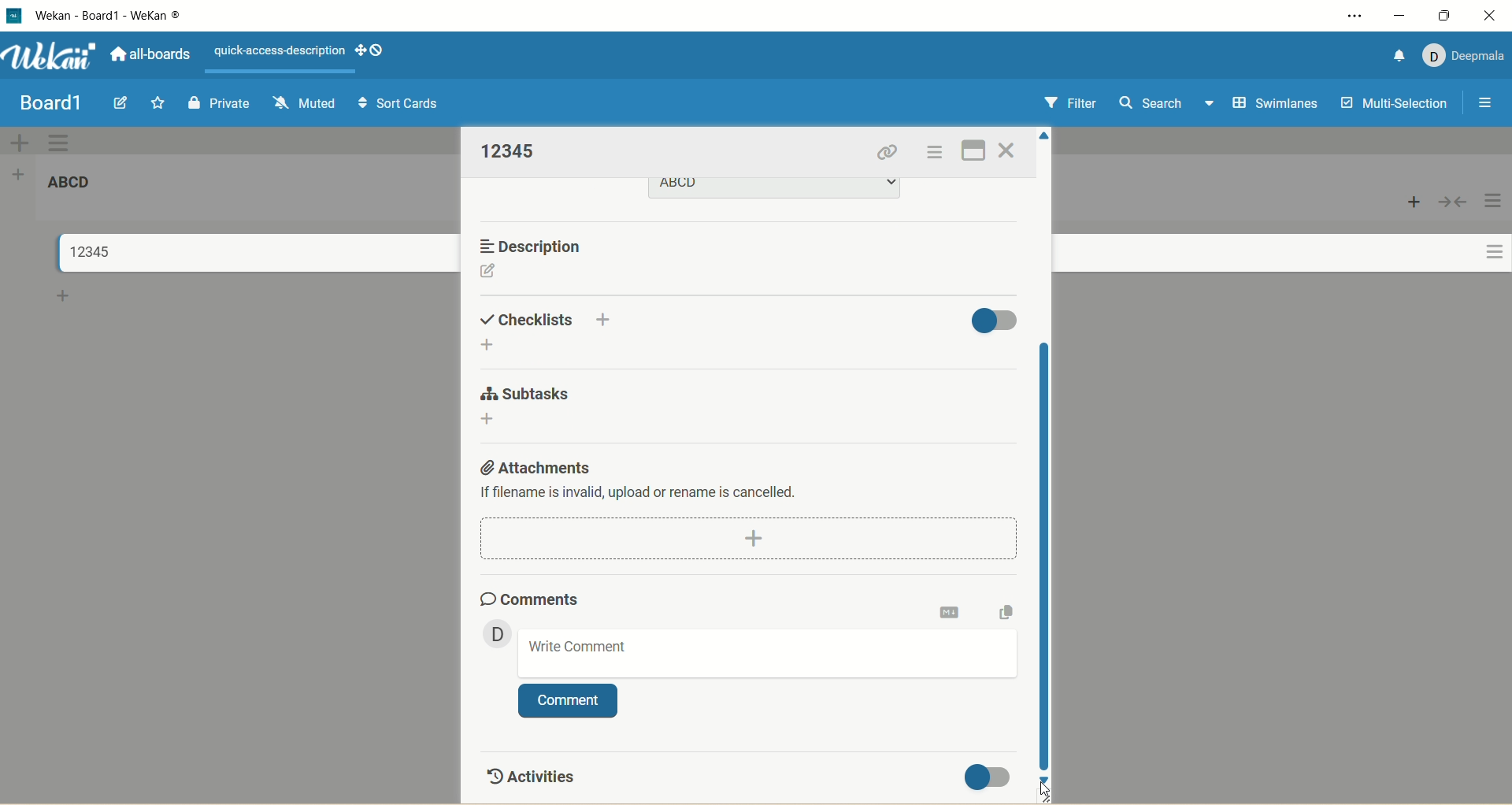 Image resolution: width=1512 pixels, height=805 pixels. What do you see at coordinates (486, 420) in the screenshot?
I see `add` at bounding box center [486, 420].